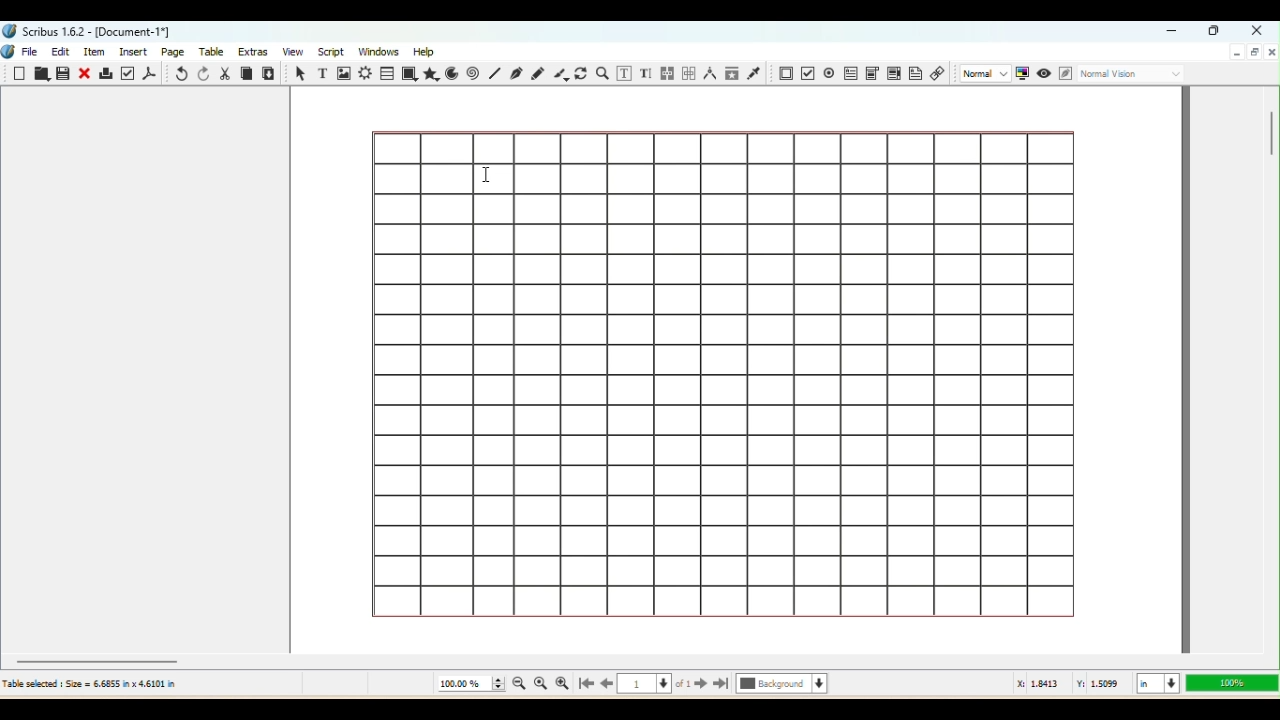 The width and height of the screenshot is (1280, 720). Describe the element at coordinates (98, 52) in the screenshot. I see `Item` at that location.